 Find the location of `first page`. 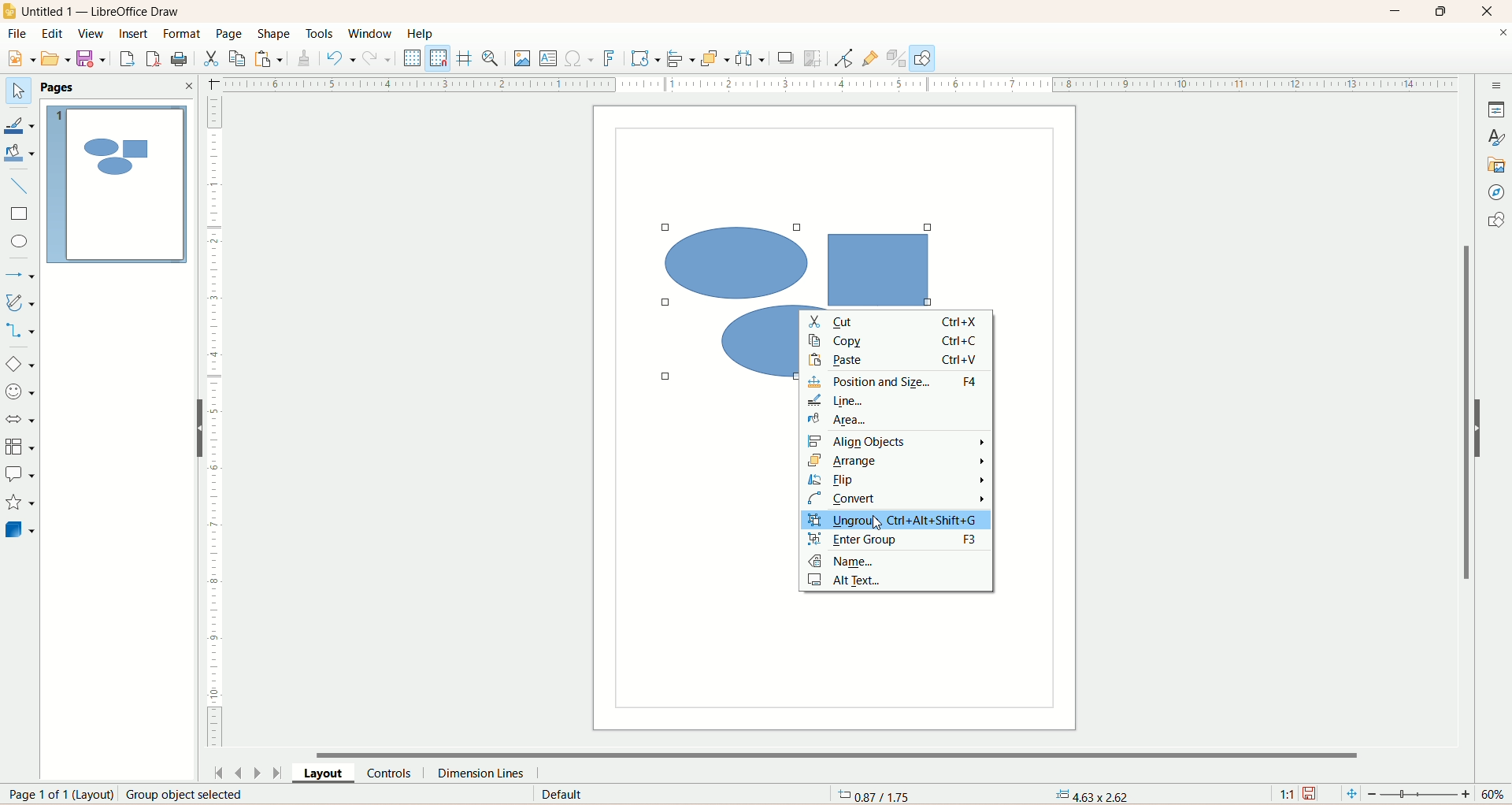

first page is located at coordinates (220, 774).